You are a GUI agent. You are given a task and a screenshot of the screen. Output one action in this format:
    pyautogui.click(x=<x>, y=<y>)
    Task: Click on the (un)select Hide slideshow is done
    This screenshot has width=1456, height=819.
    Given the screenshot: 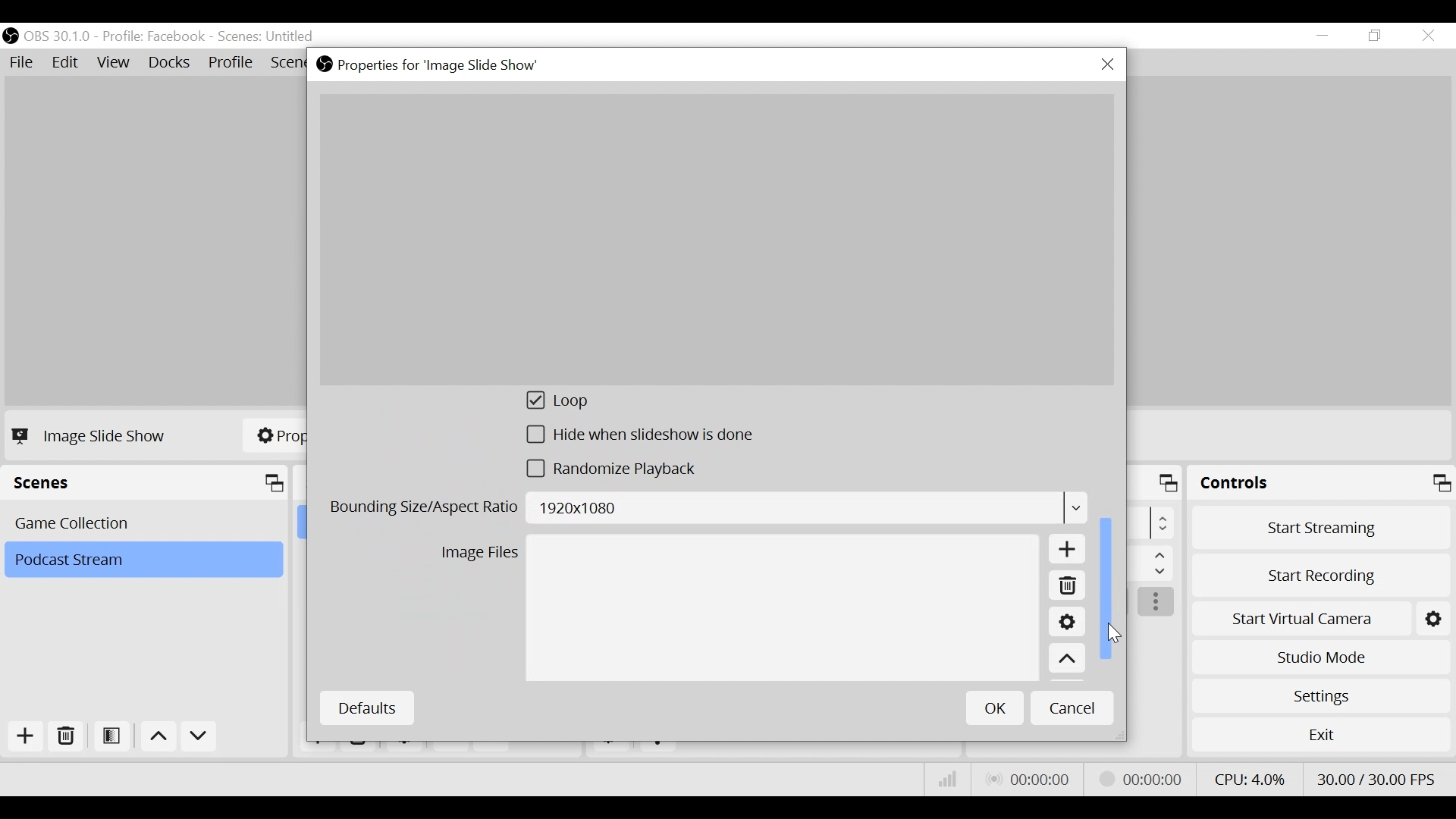 What is the action you would take?
    pyautogui.click(x=641, y=435)
    